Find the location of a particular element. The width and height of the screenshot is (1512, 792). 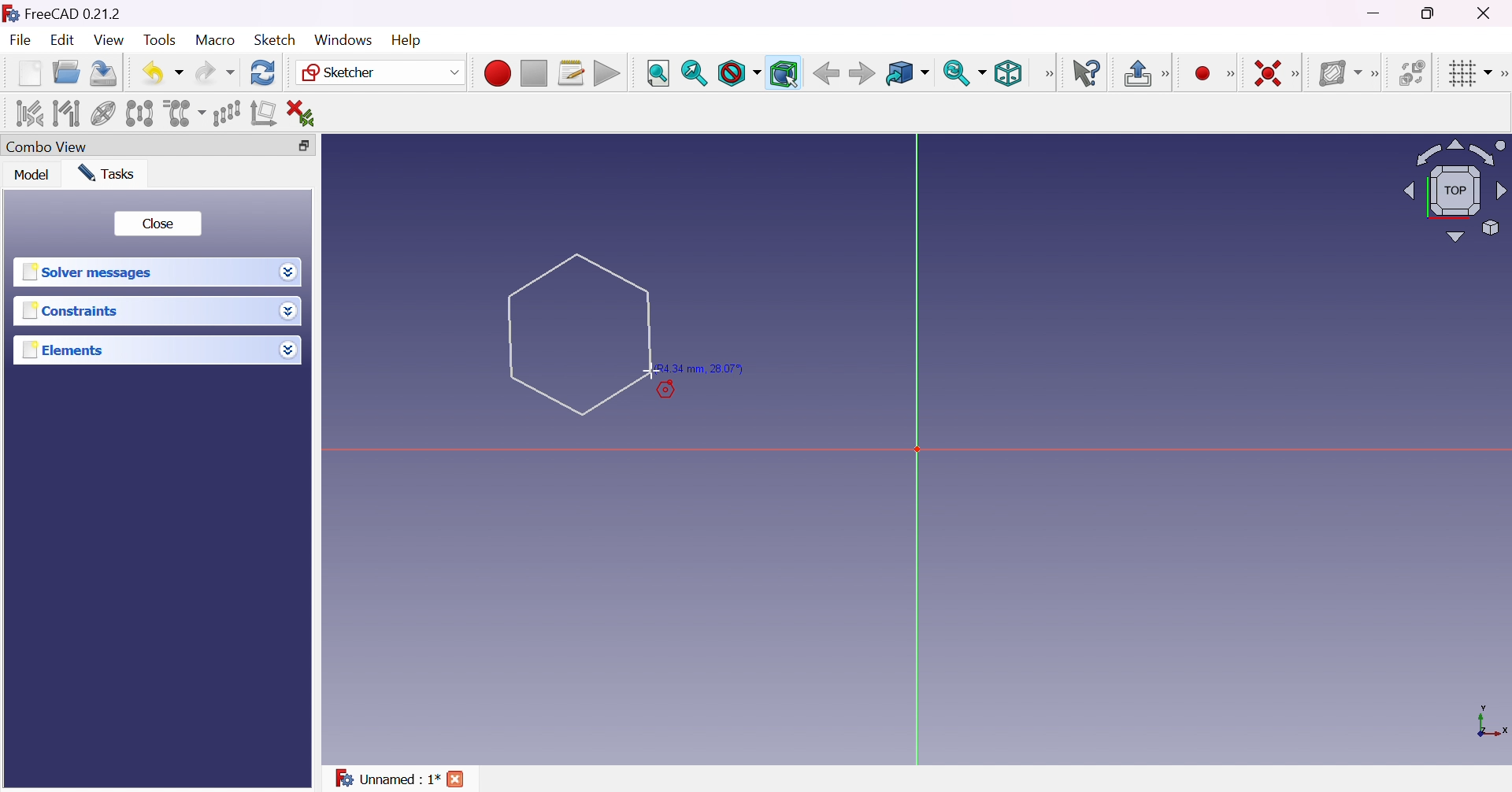

Tasks is located at coordinates (109, 174).